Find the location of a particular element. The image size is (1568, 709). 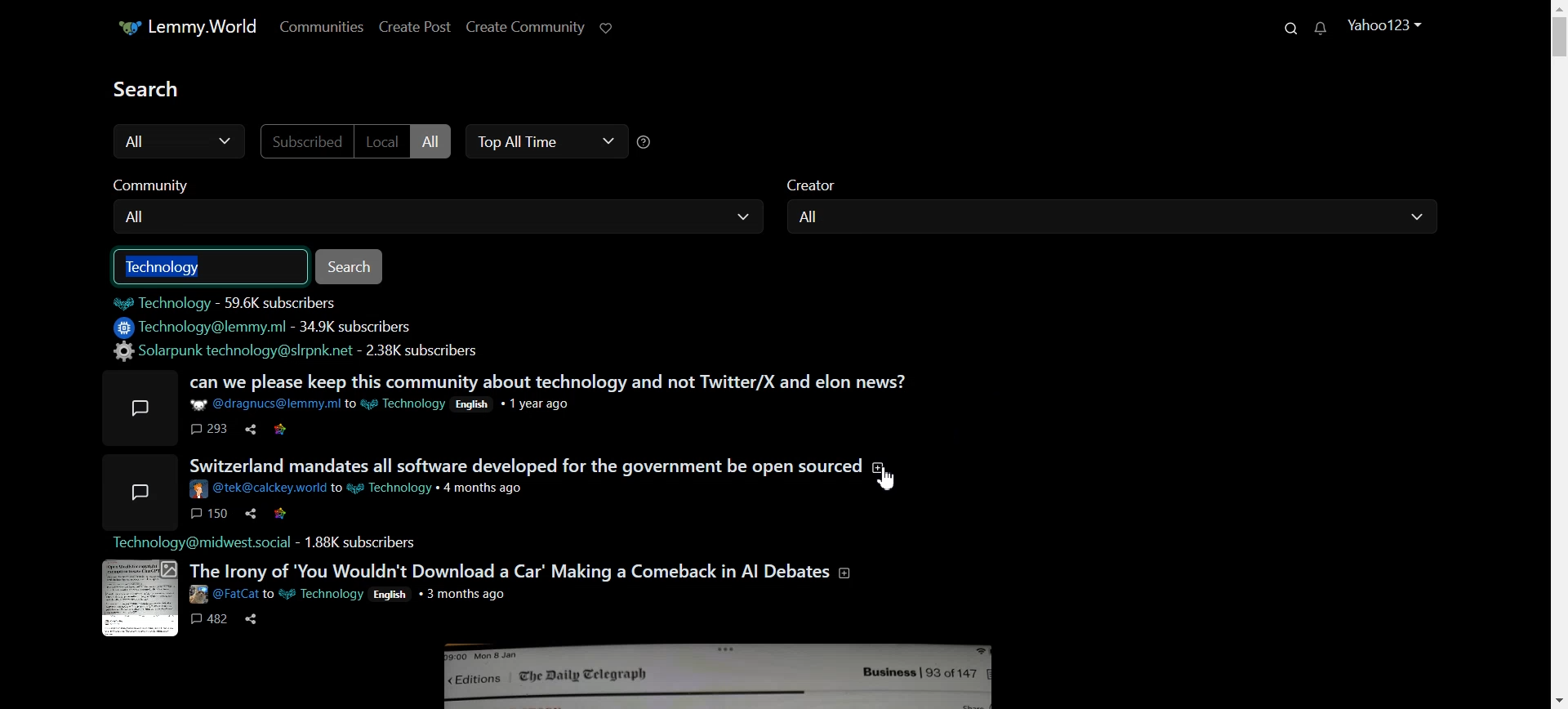

Search is located at coordinates (1289, 29).